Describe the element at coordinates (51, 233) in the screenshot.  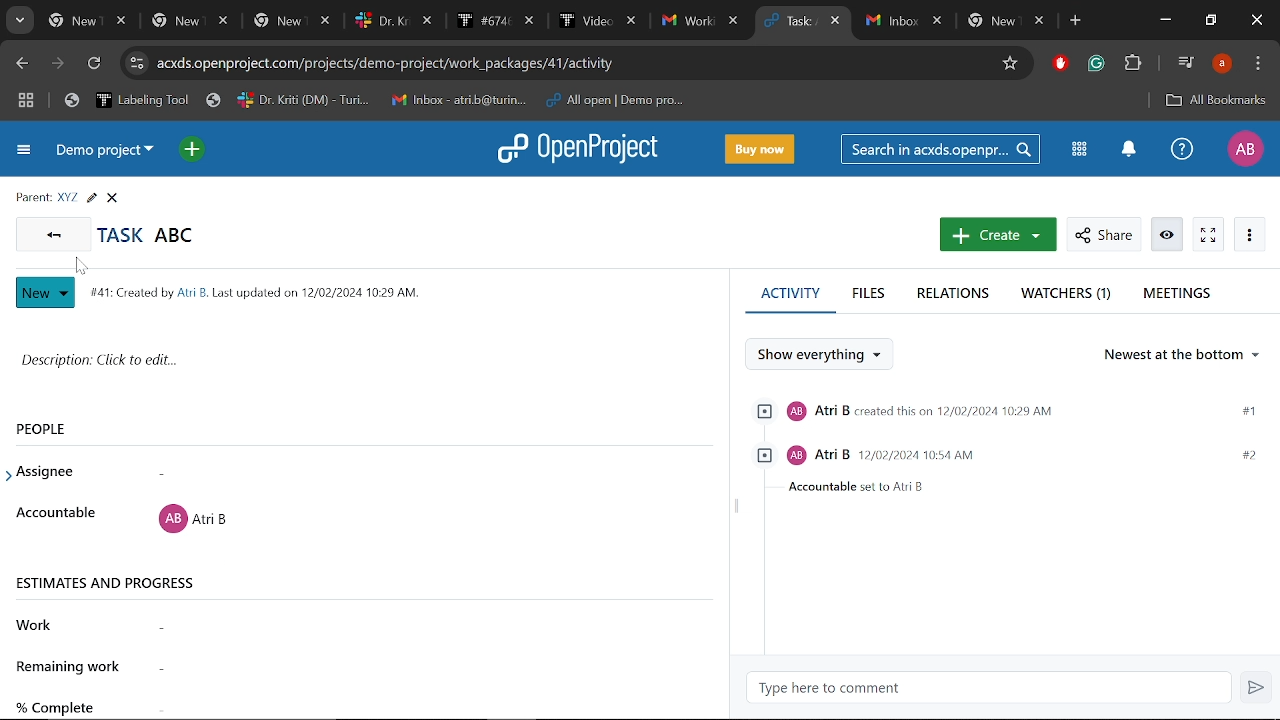
I see `Go back` at that location.